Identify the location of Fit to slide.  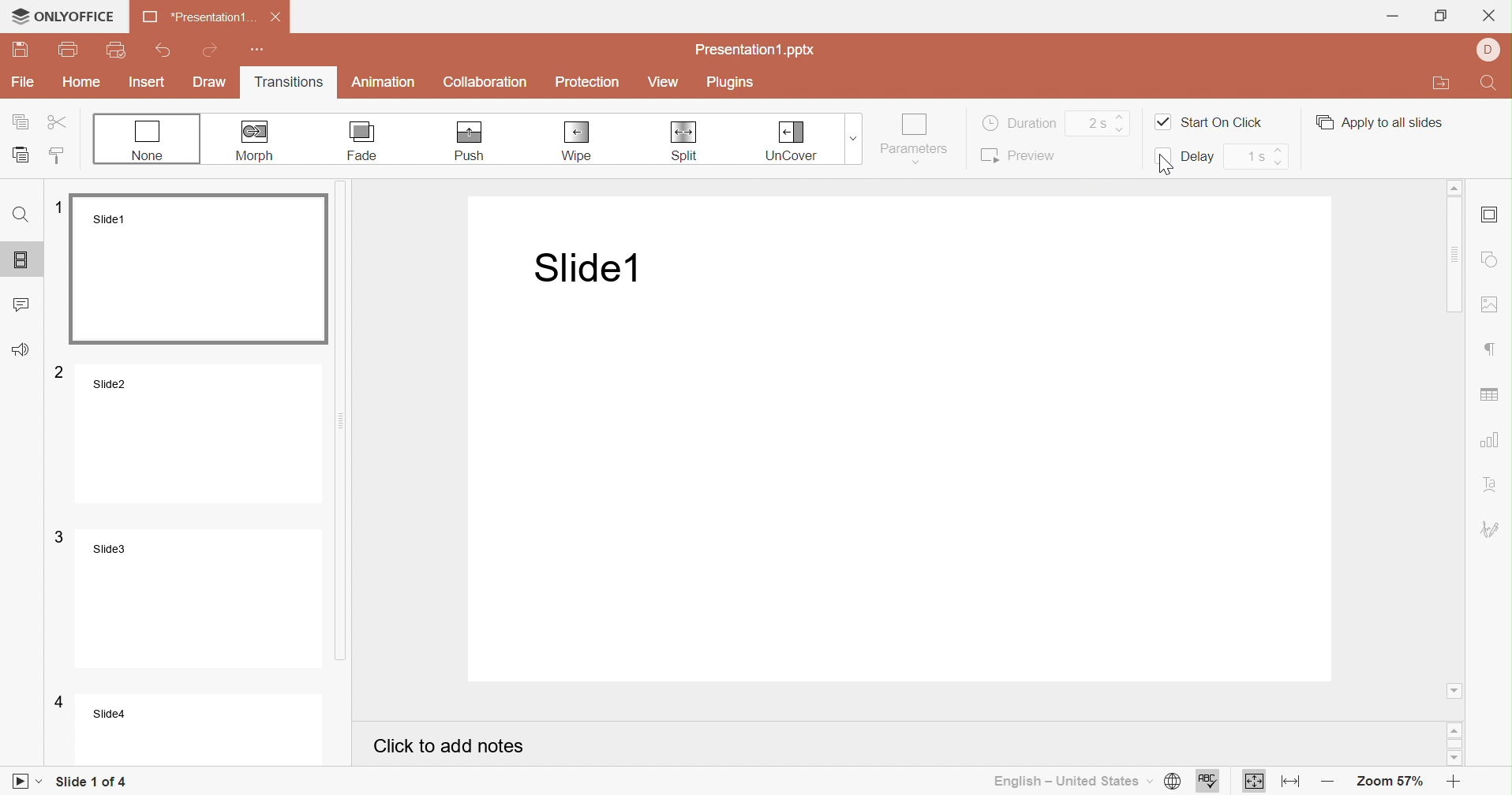
(1255, 783).